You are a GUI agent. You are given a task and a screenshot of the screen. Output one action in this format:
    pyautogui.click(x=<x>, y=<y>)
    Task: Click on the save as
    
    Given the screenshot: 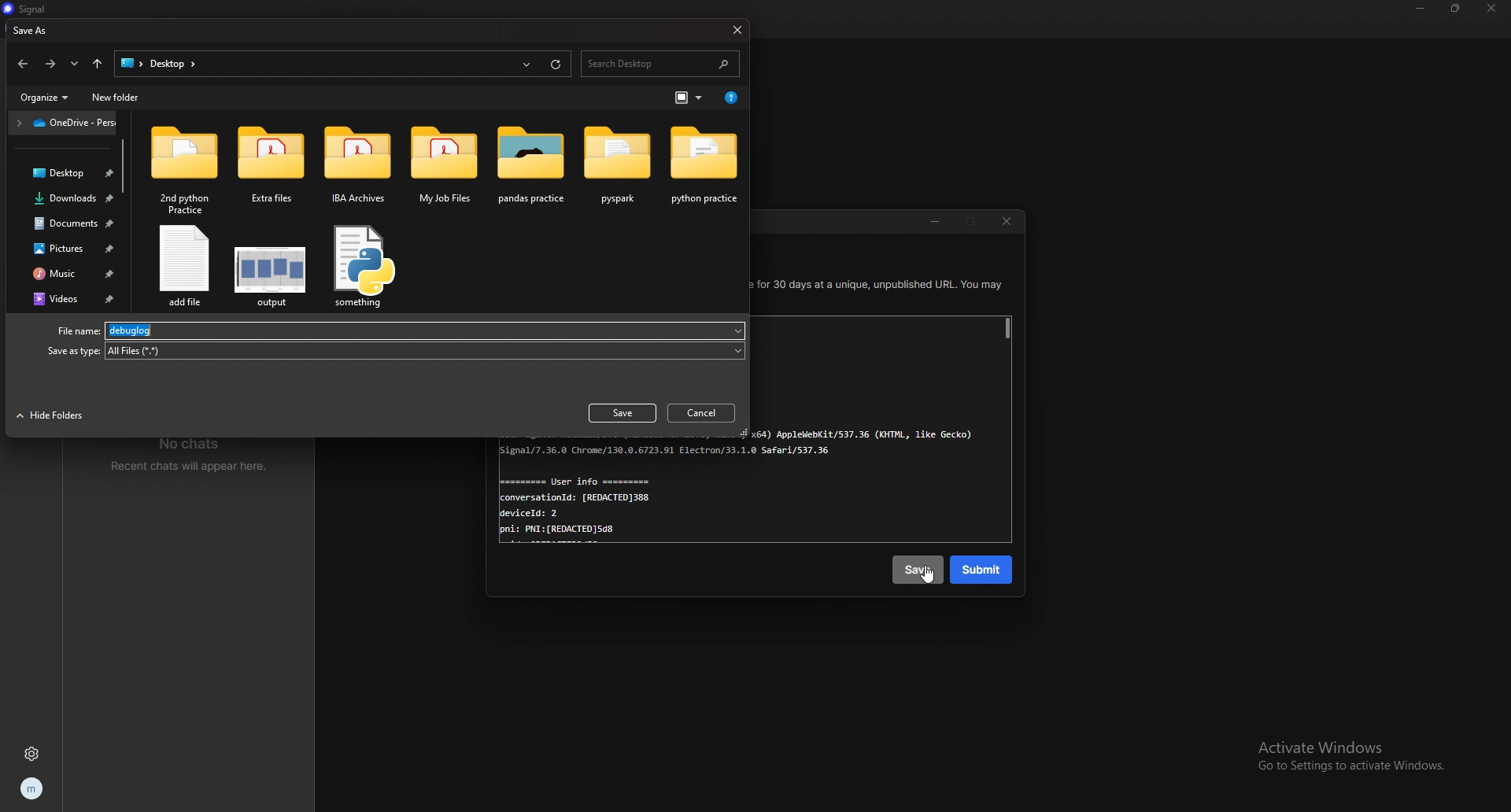 What is the action you would take?
    pyautogui.click(x=41, y=30)
    